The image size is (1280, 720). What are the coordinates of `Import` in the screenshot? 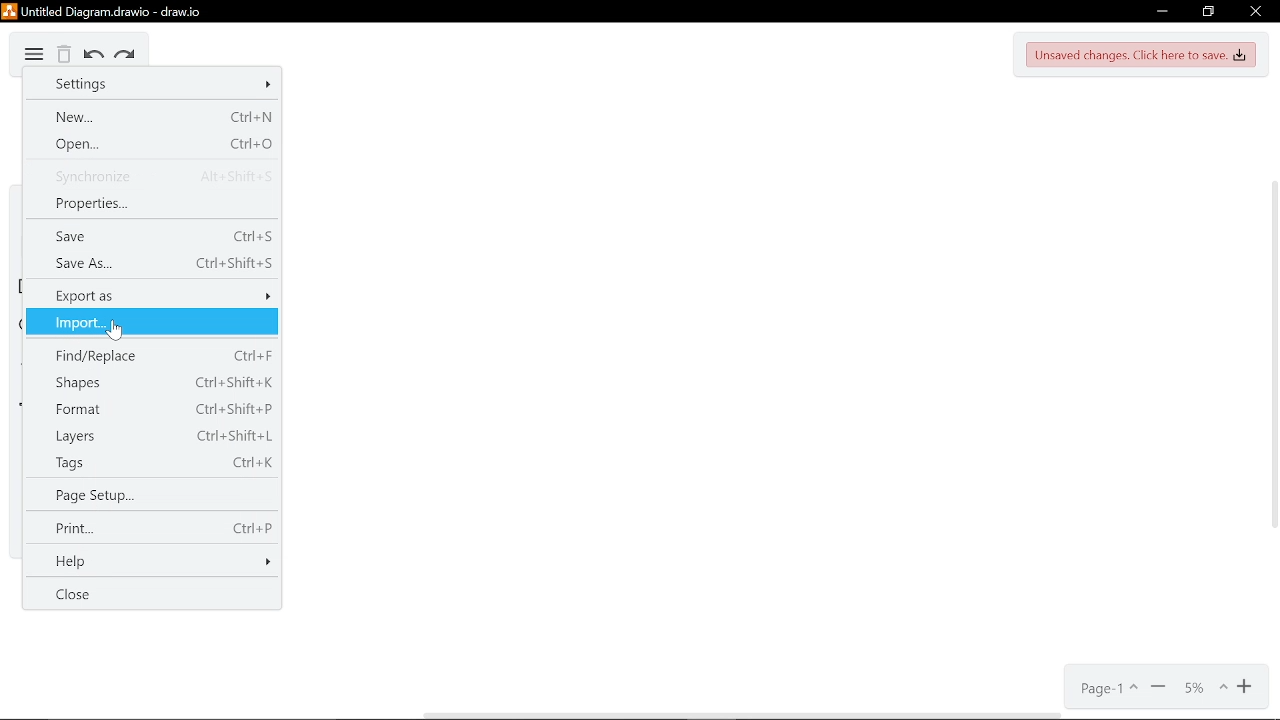 It's located at (150, 322).